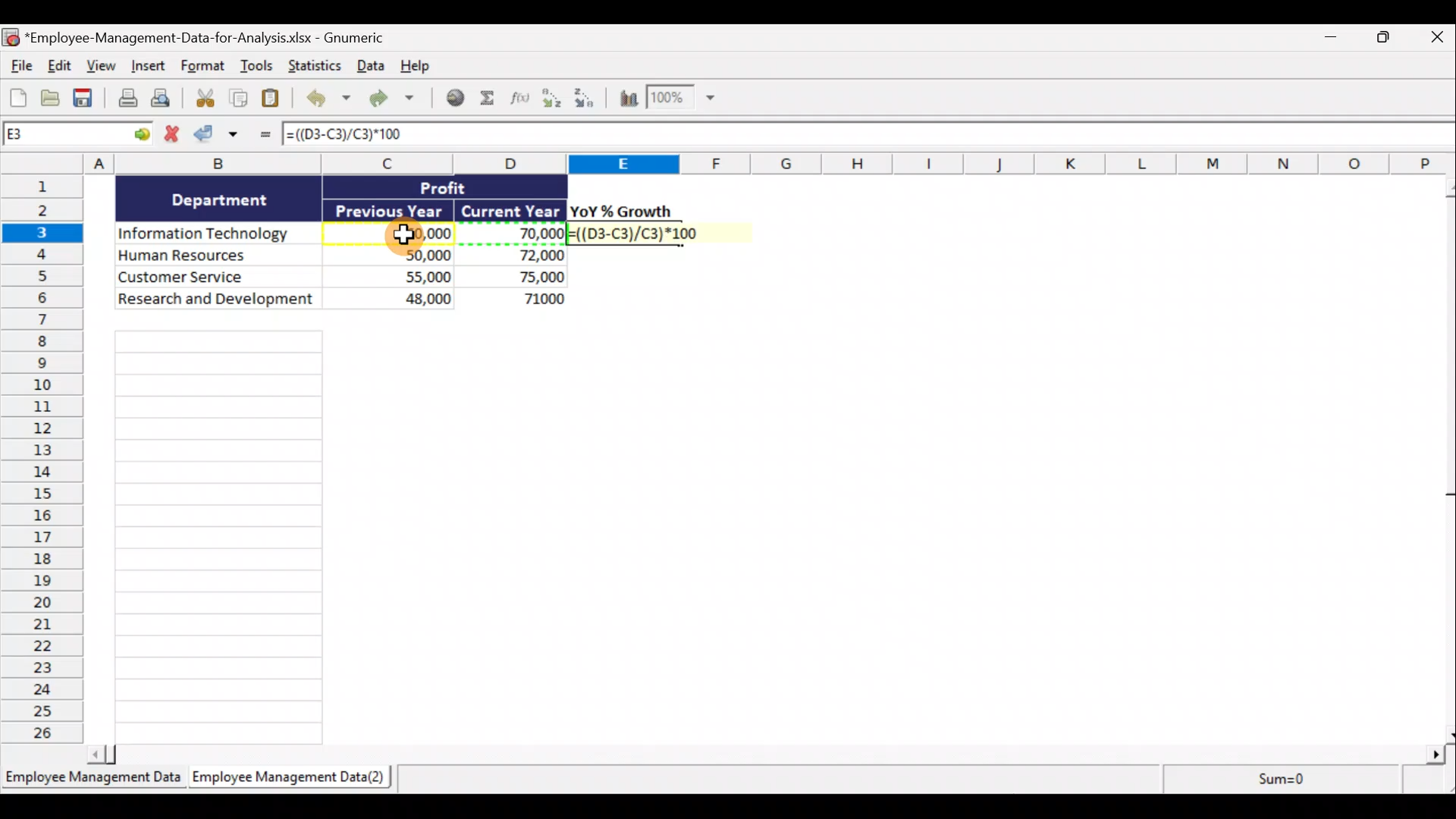 The image size is (1456, 819). What do you see at coordinates (58, 65) in the screenshot?
I see `Edit` at bounding box center [58, 65].